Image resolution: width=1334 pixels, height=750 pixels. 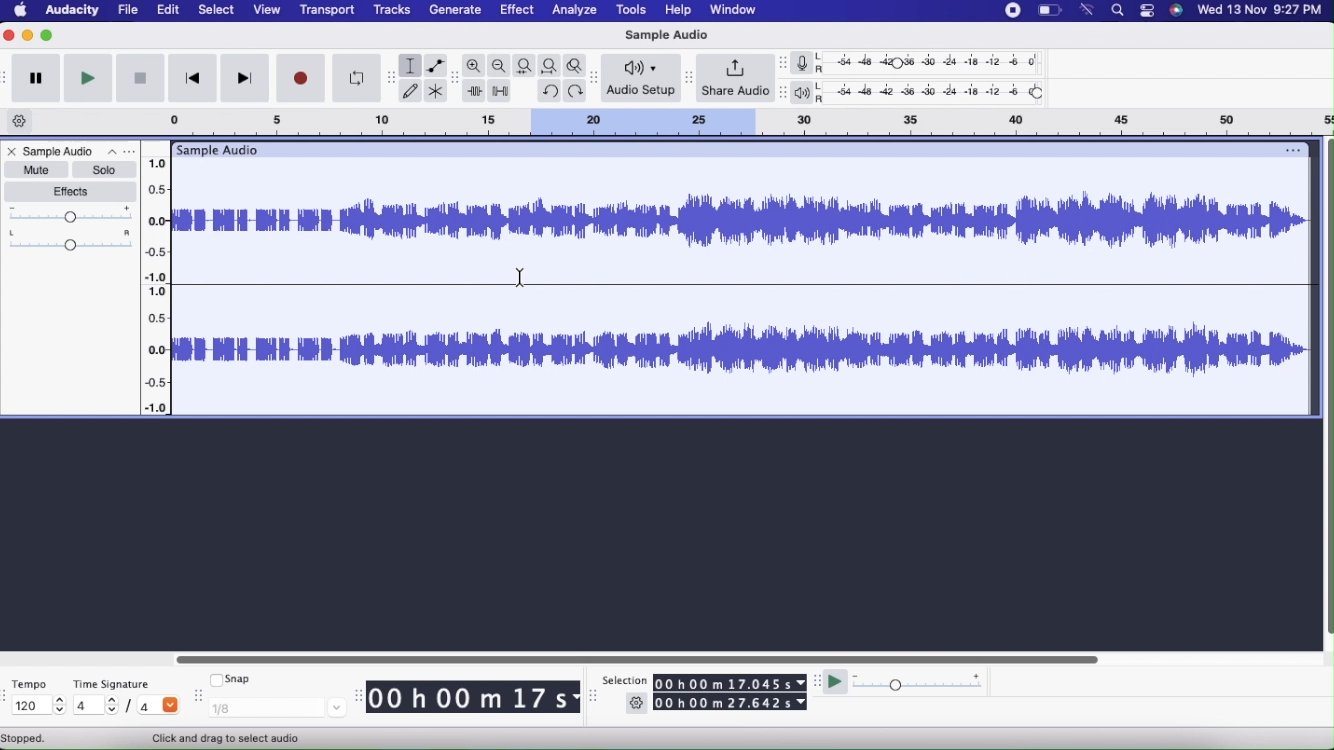 I want to click on Selection Tool, so click(x=233, y=738).